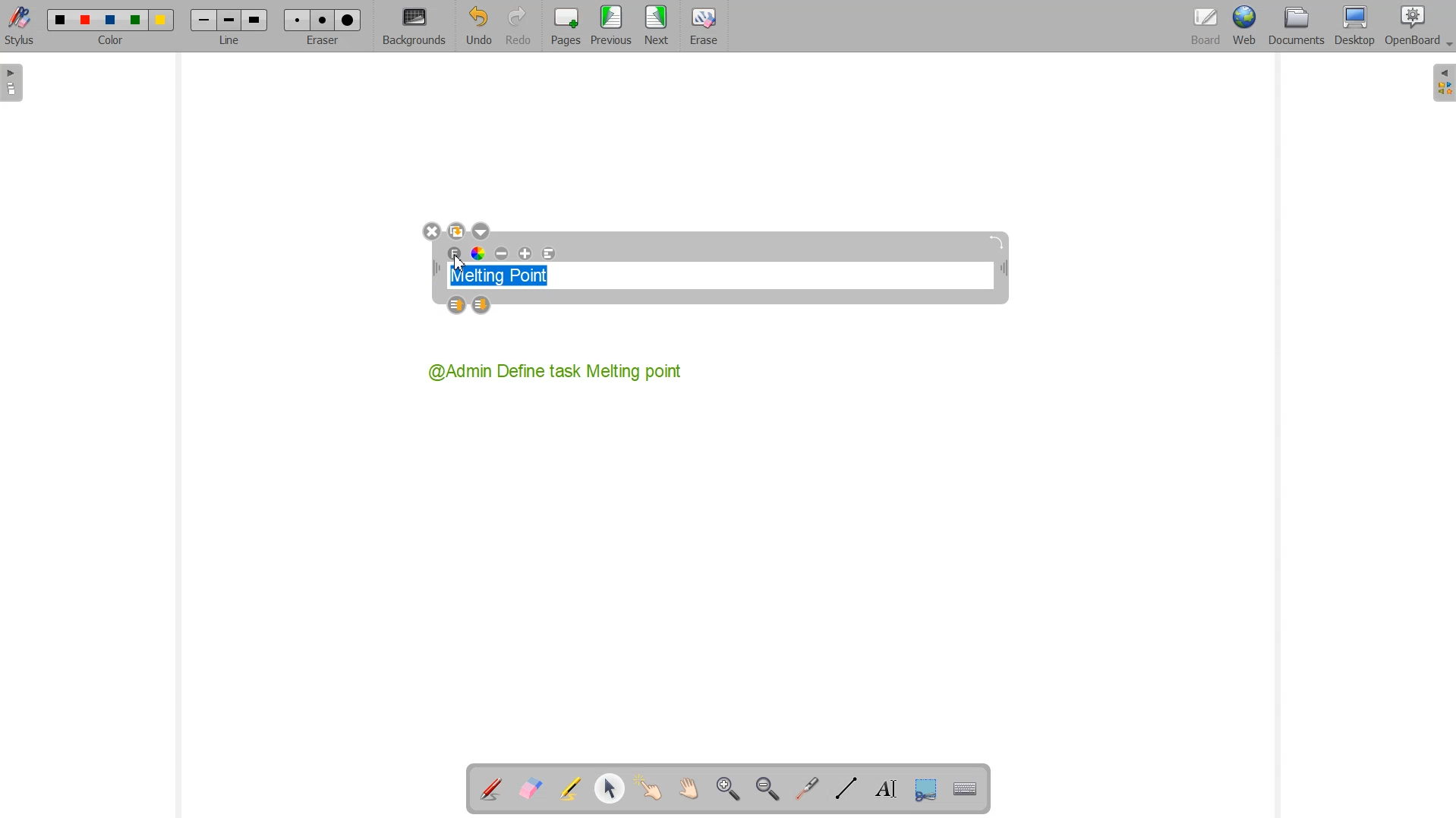  I want to click on Dropdown box, so click(481, 231).